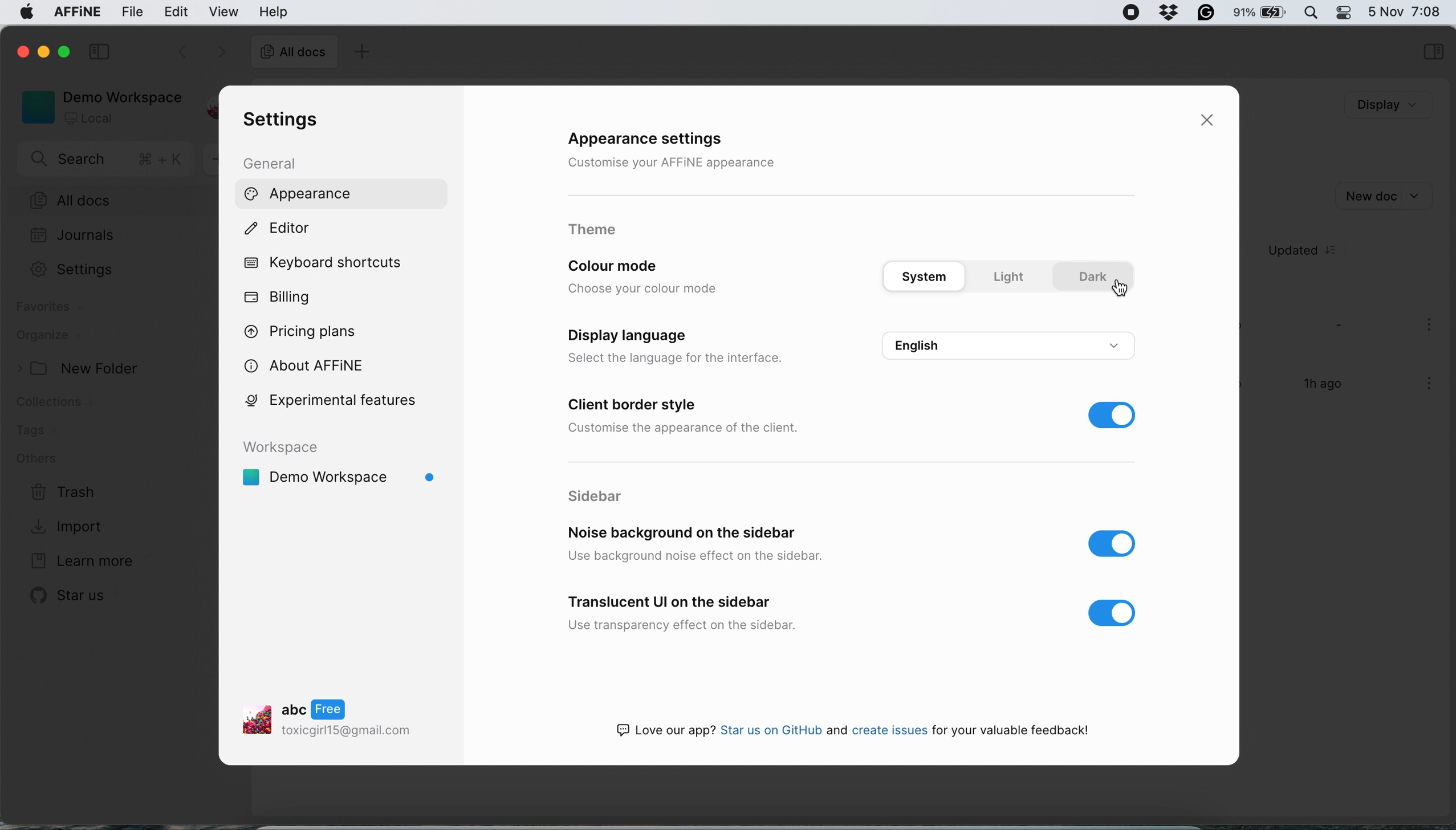 This screenshot has height=830, width=1456. I want to click on appearance settings, so click(664, 140).